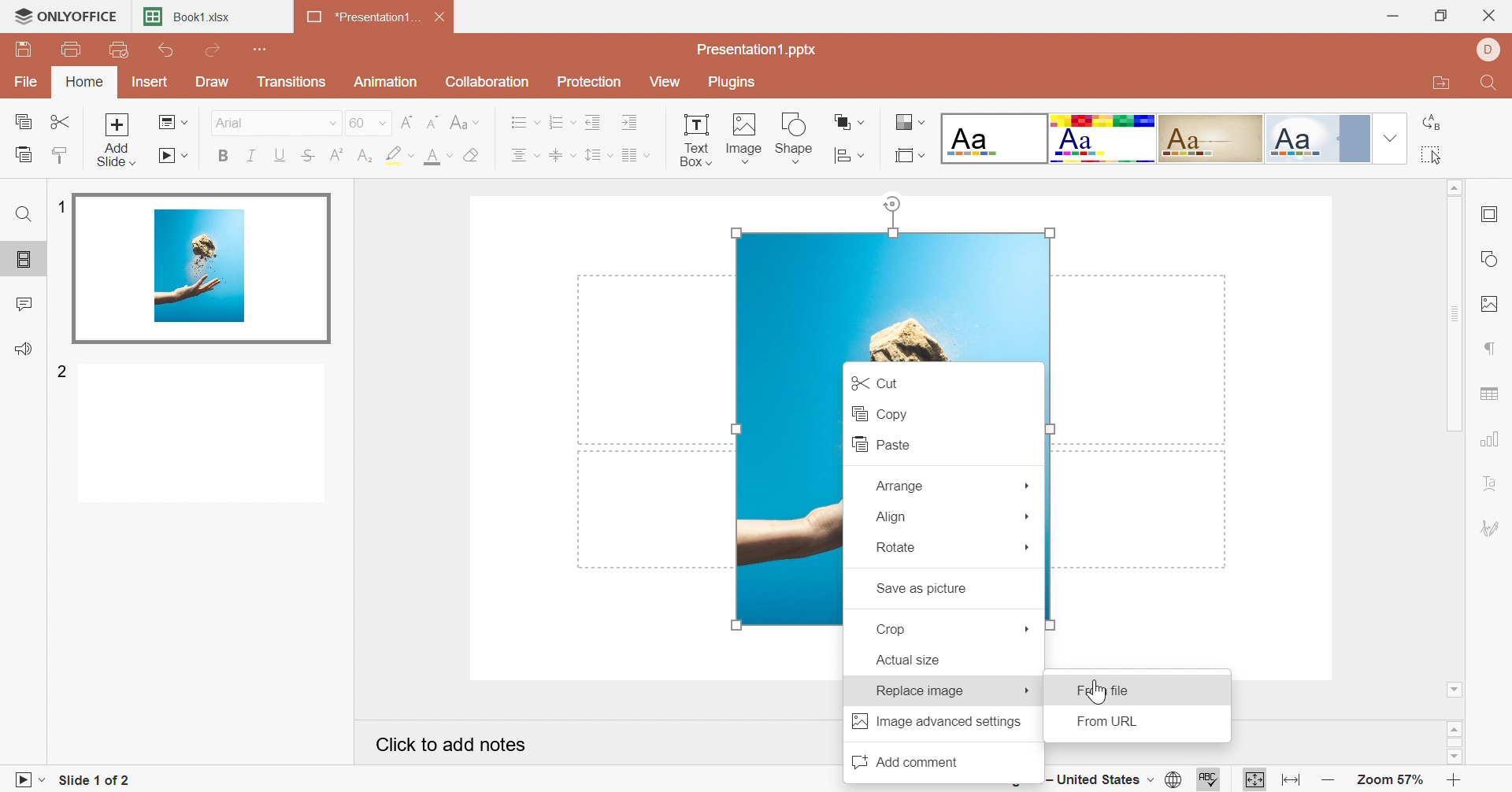 The image size is (1512, 792). Describe the element at coordinates (204, 265) in the screenshot. I see `Slide` at that location.